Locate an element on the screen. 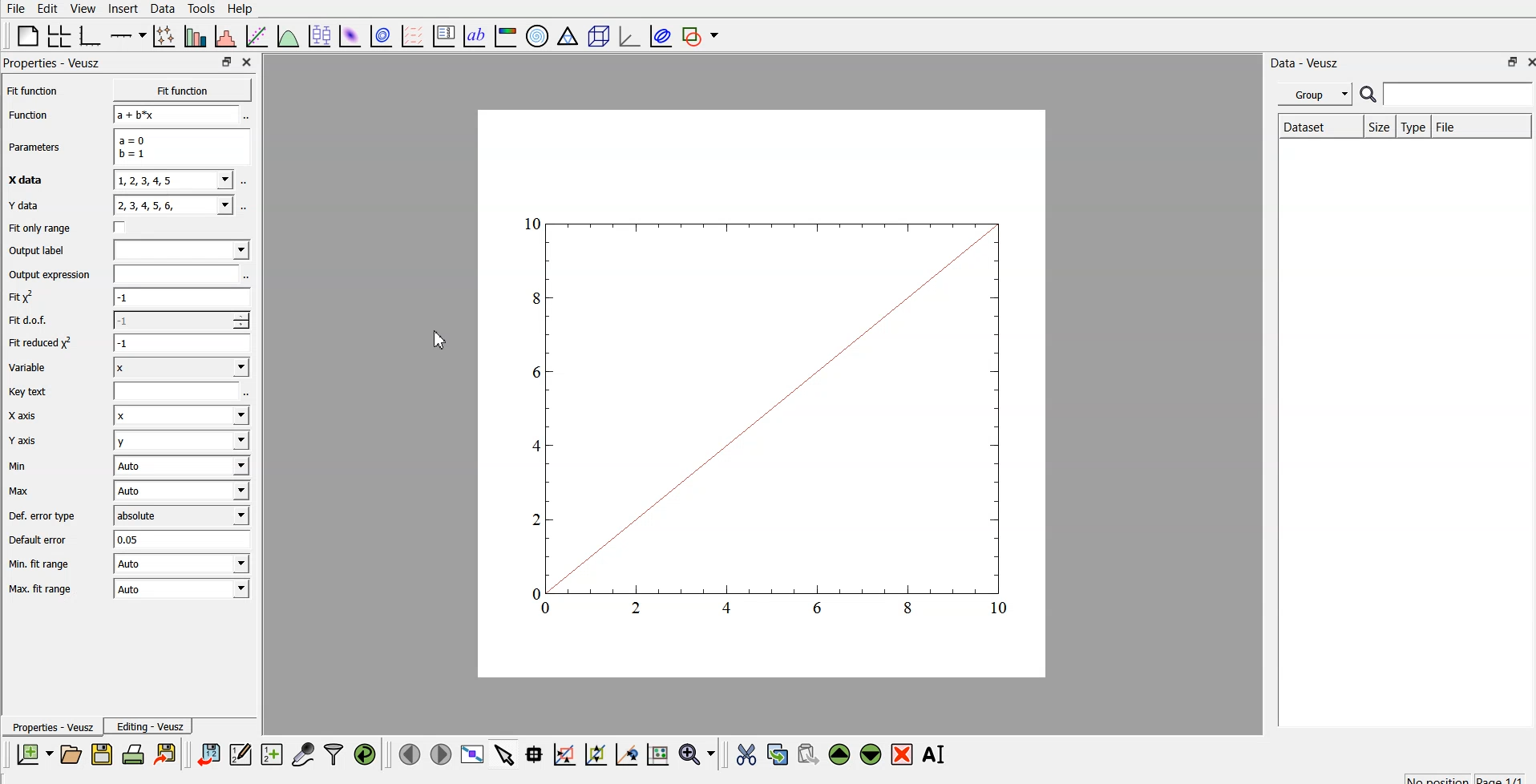 This screenshot has width=1536, height=784. filter data is located at coordinates (335, 756).